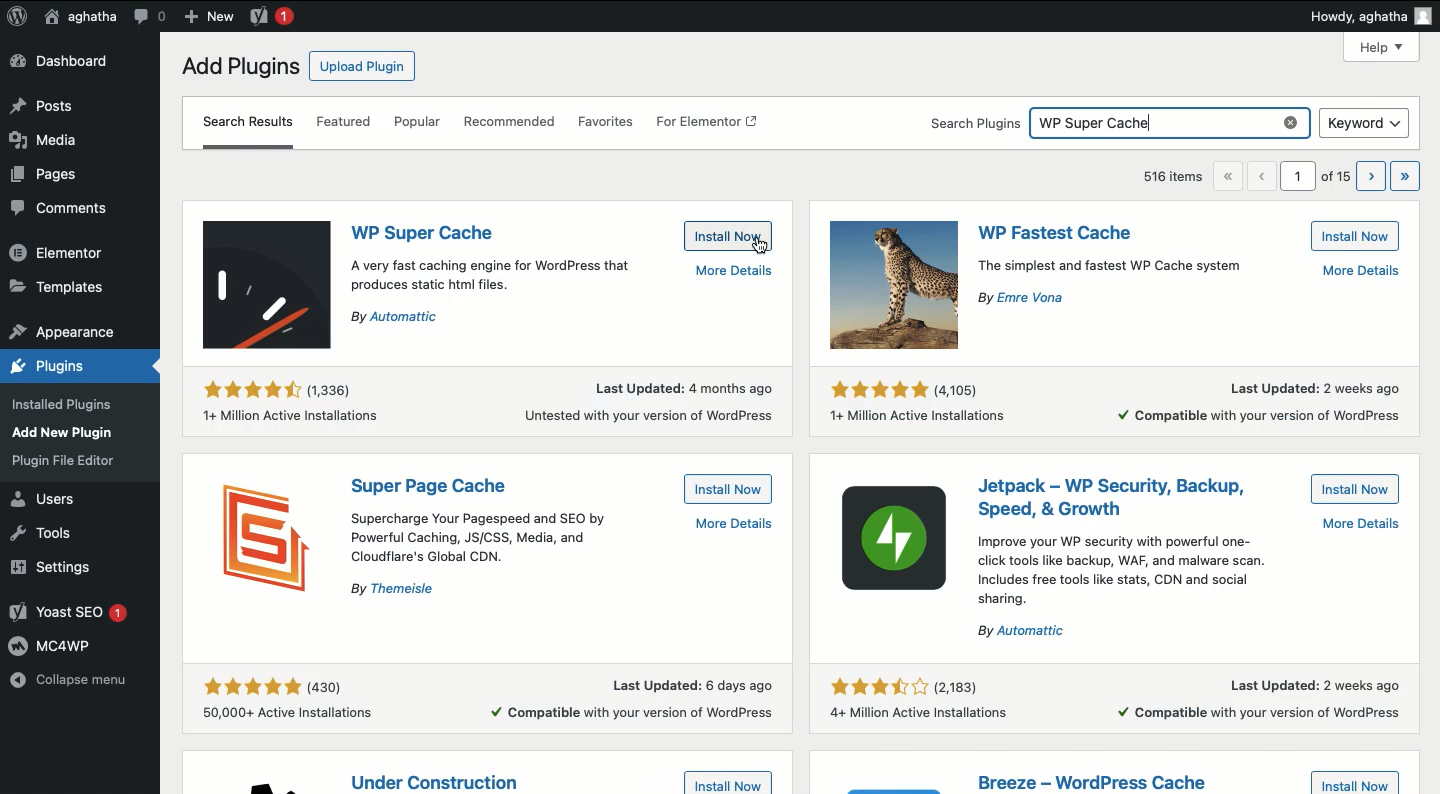 Image resolution: width=1440 pixels, height=794 pixels. What do you see at coordinates (269, 17) in the screenshot?
I see `new message` at bounding box center [269, 17].